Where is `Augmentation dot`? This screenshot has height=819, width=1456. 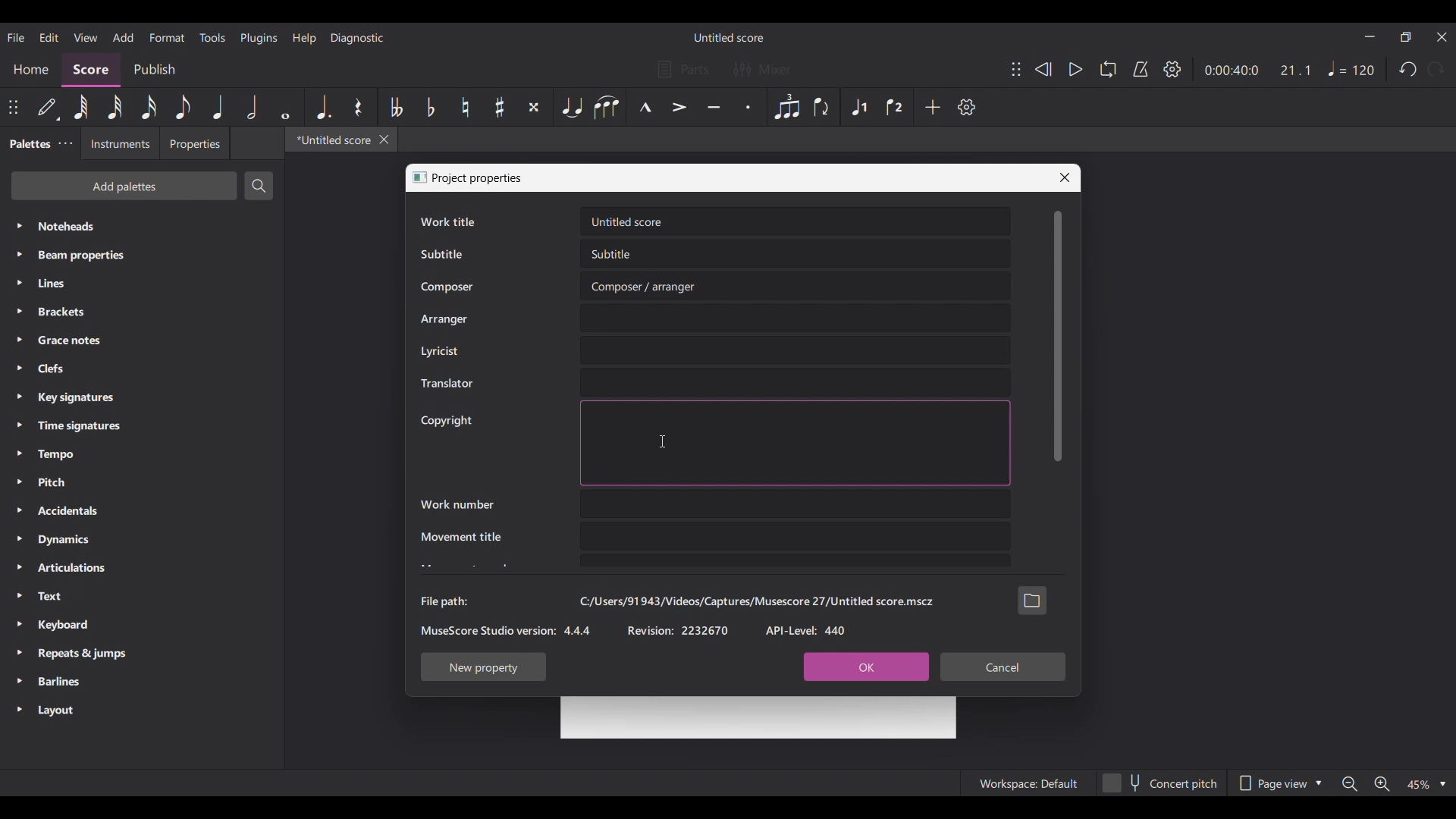 Augmentation dot is located at coordinates (323, 107).